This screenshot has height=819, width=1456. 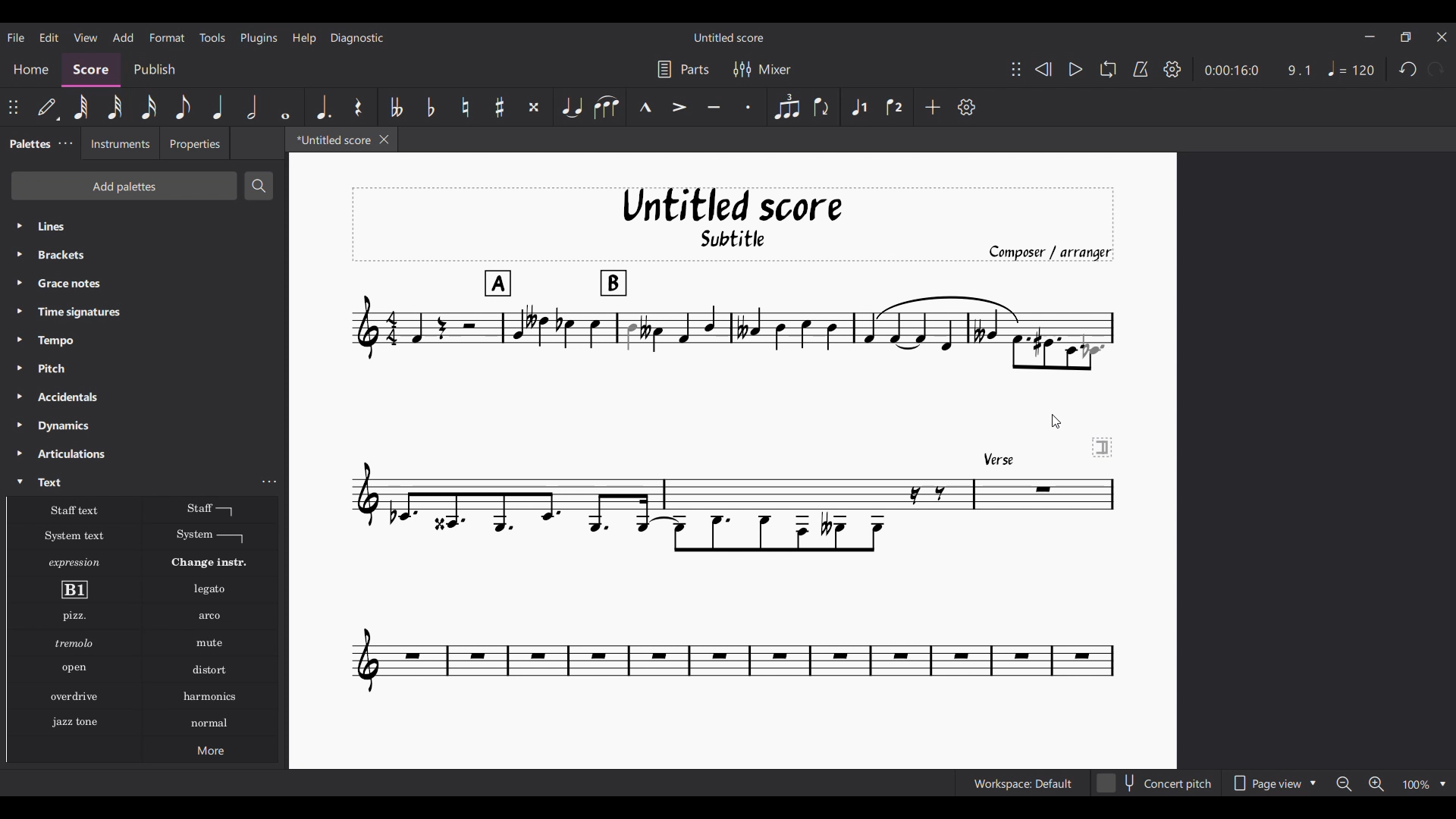 What do you see at coordinates (210, 590) in the screenshot?
I see `Legato` at bounding box center [210, 590].